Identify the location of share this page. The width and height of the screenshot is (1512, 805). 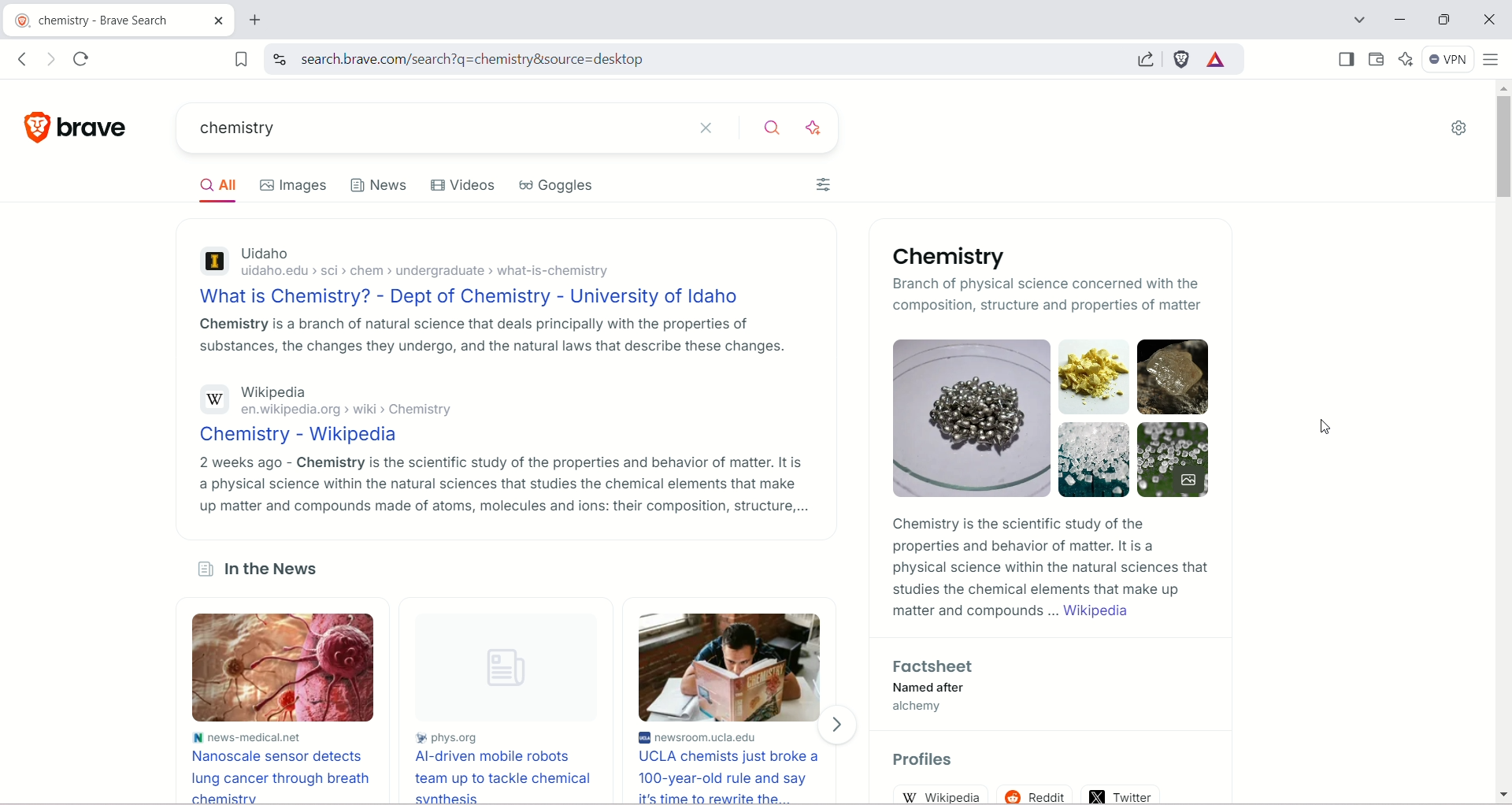
(1141, 57).